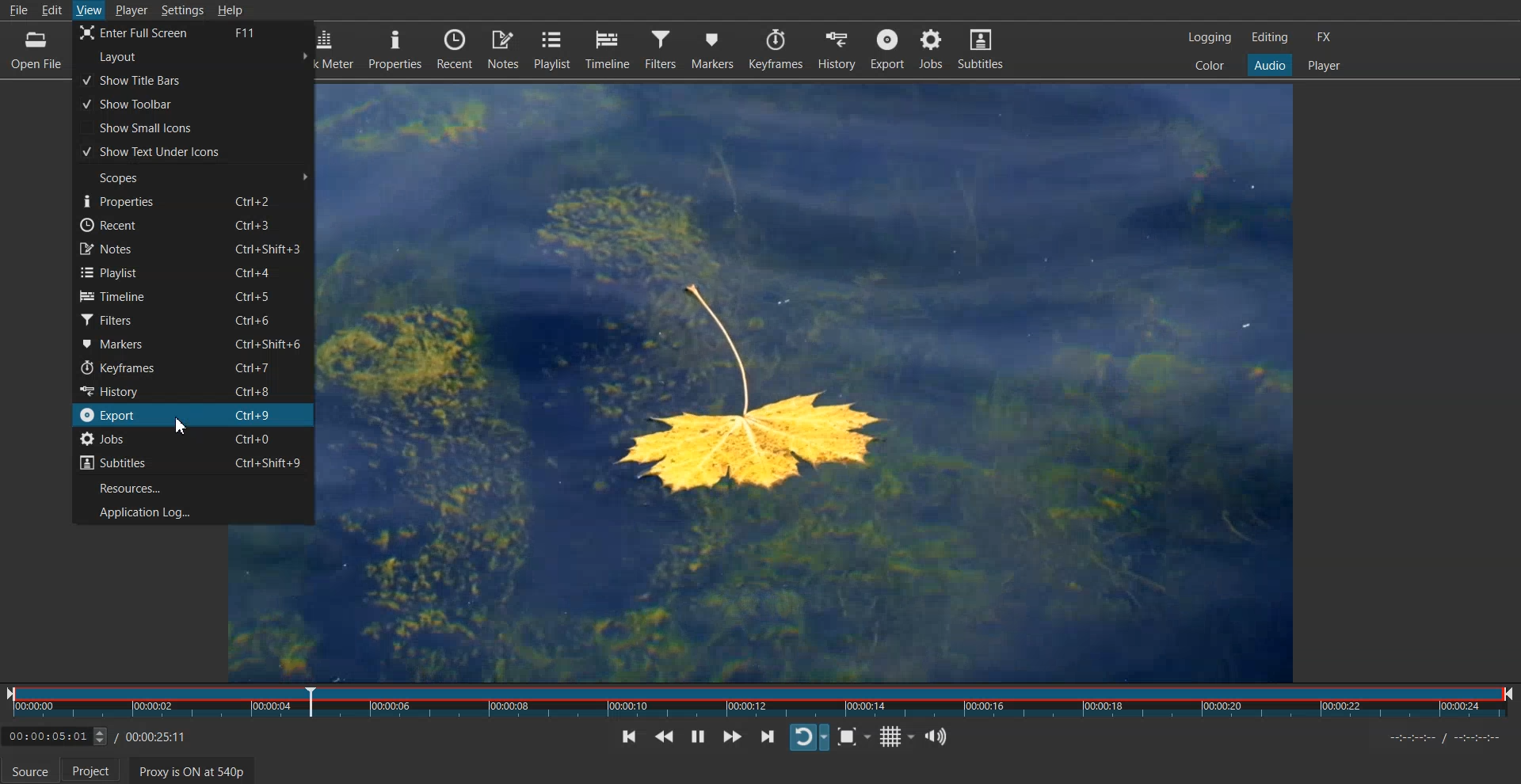  Describe the element at coordinates (193, 414) in the screenshot. I see `Export` at that location.